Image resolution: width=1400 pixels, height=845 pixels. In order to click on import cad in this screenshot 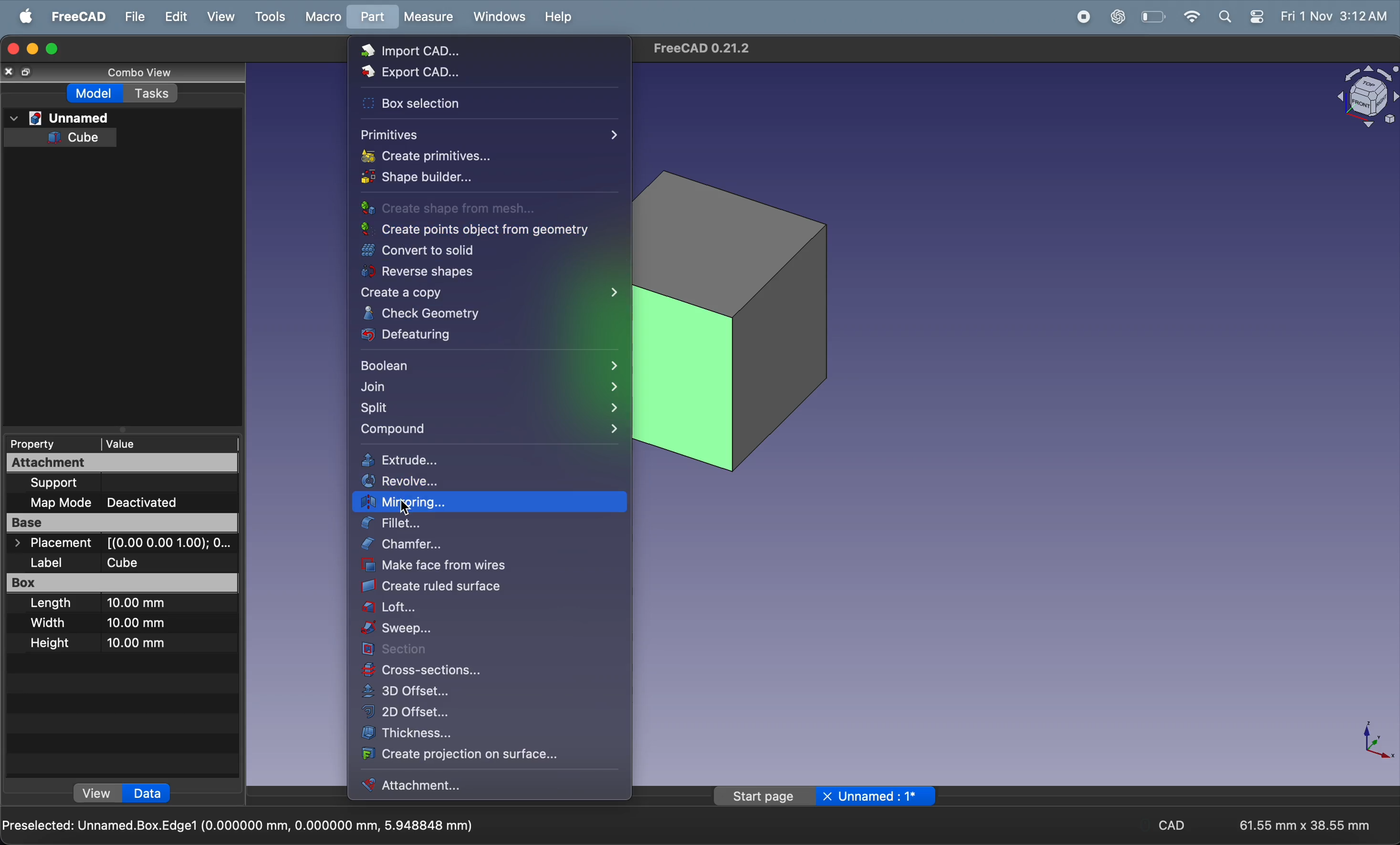, I will do `click(481, 52)`.